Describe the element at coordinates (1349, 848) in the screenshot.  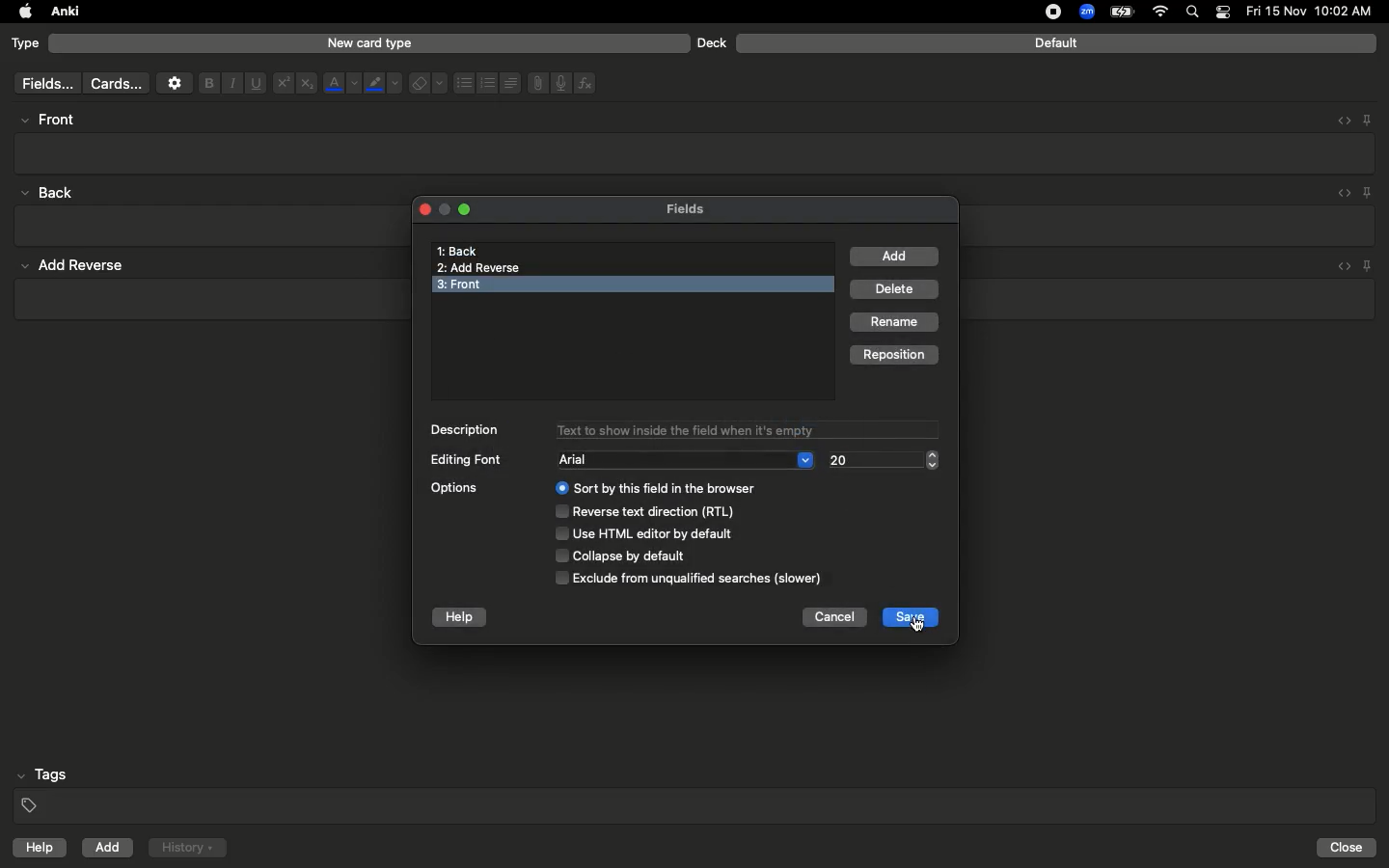
I see `Close` at that location.